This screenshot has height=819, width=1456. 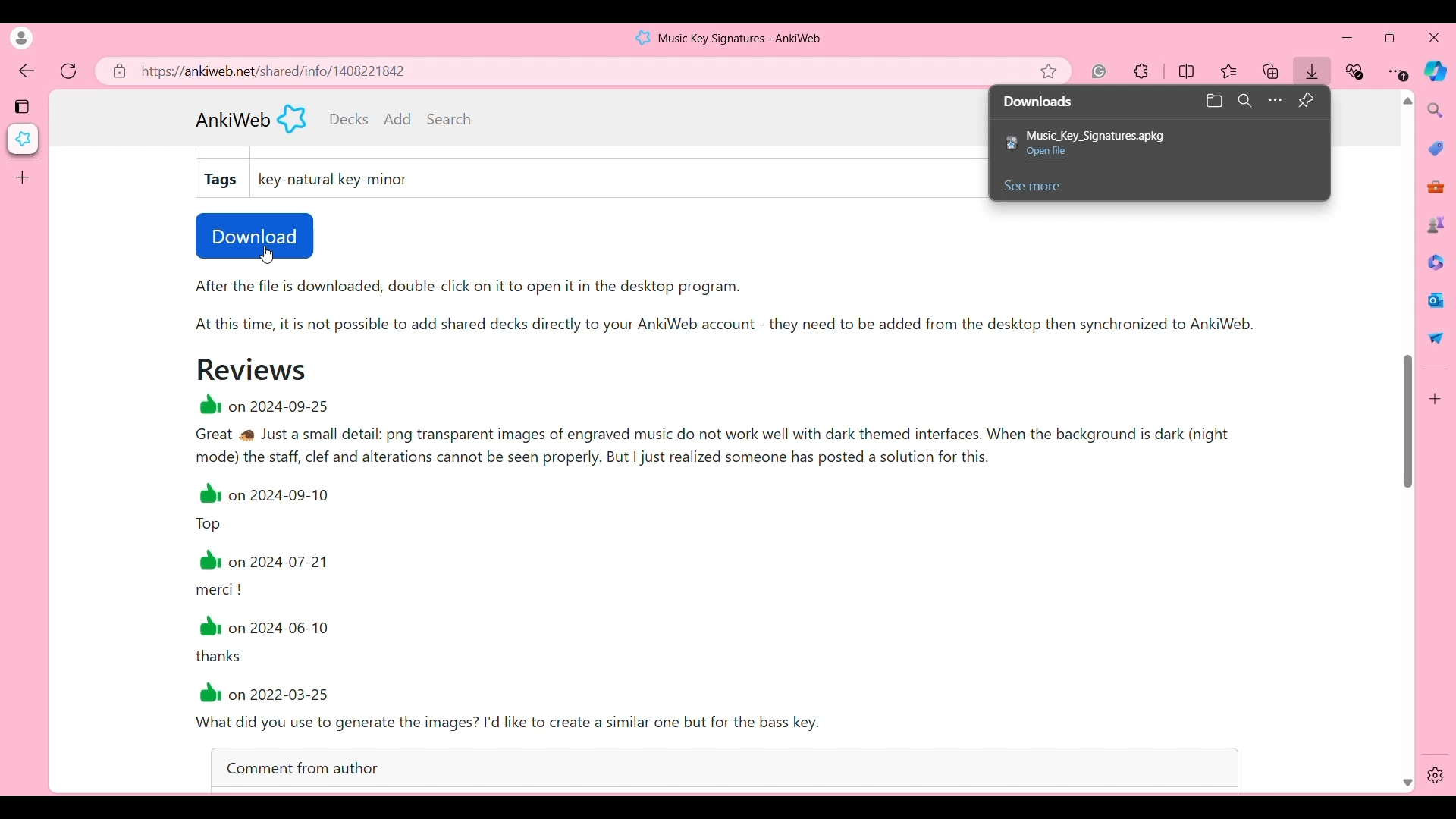 What do you see at coordinates (1096, 134) in the screenshot?
I see `Music_Key_Signatures.apkg` at bounding box center [1096, 134].